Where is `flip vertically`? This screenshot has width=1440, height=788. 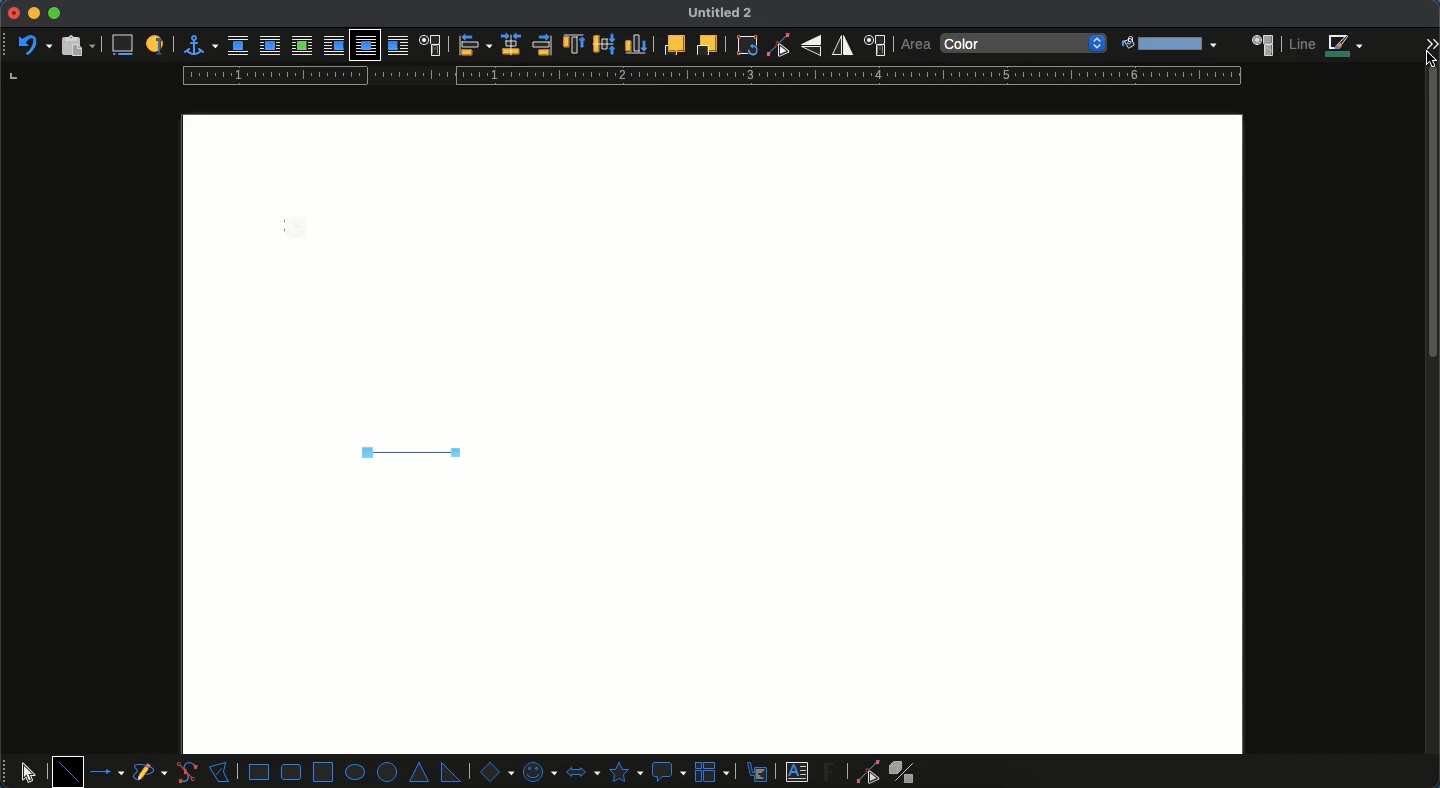 flip vertically is located at coordinates (811, 45).